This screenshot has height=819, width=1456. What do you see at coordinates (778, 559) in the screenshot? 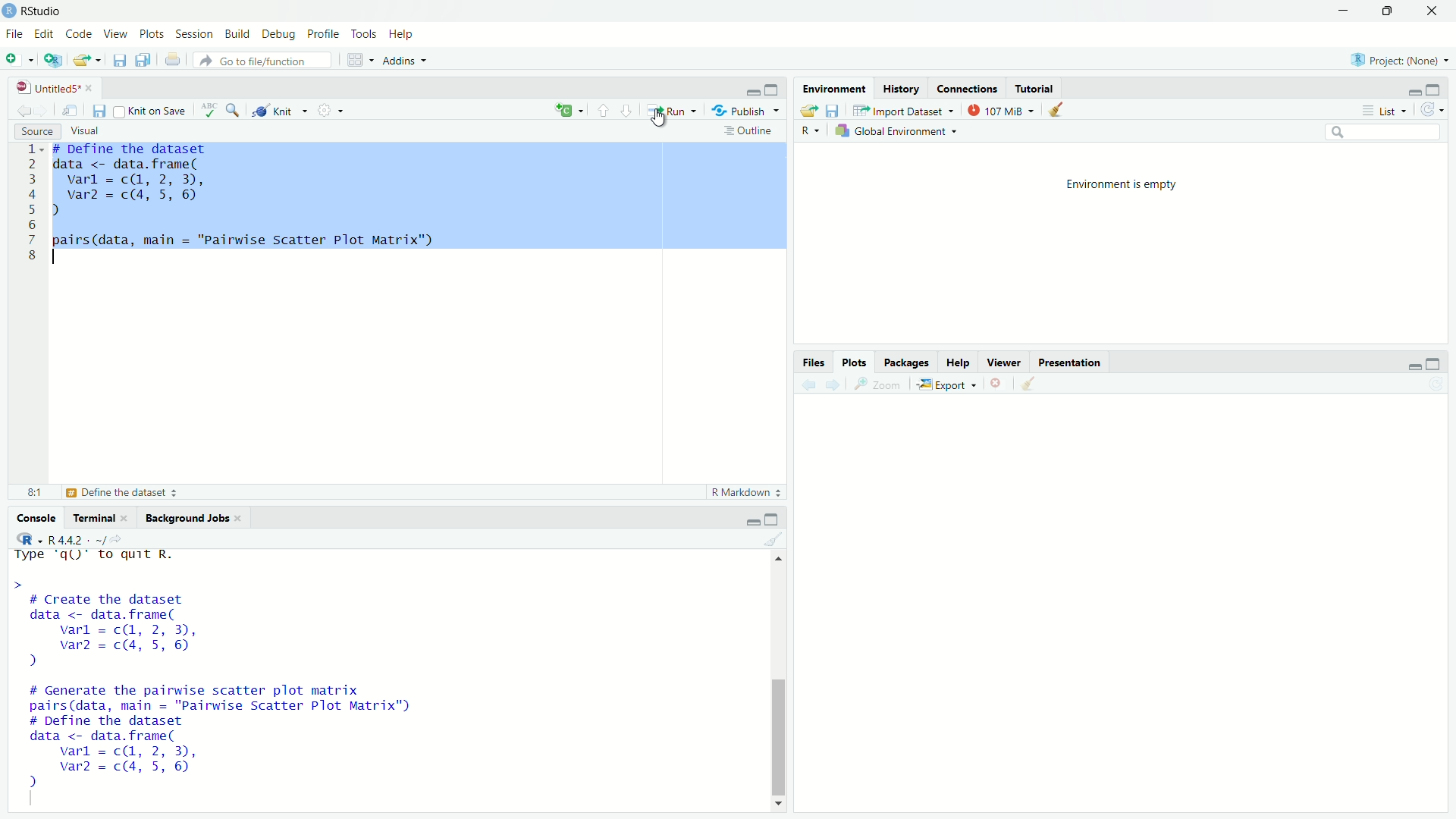
I see `Up` at bounding box center [778, 559].